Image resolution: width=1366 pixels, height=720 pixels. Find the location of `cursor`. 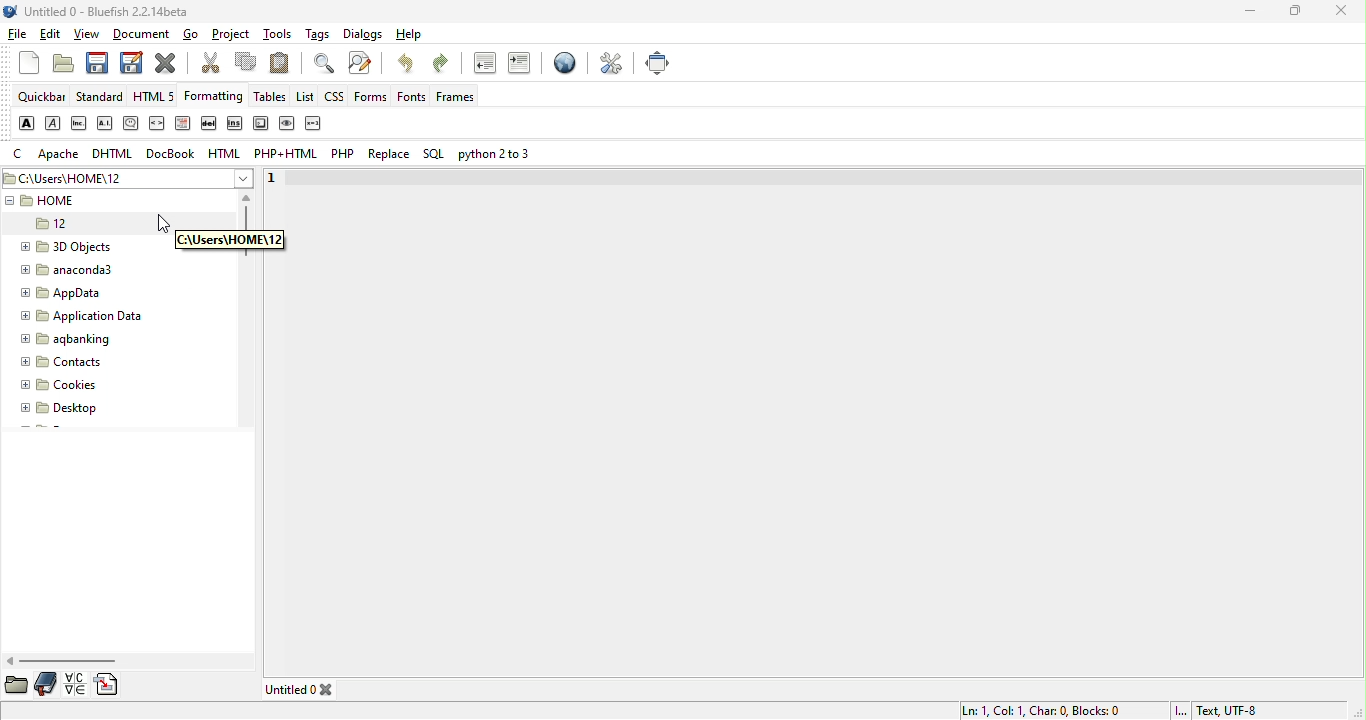

cursor is located at coordinates (173, 222).